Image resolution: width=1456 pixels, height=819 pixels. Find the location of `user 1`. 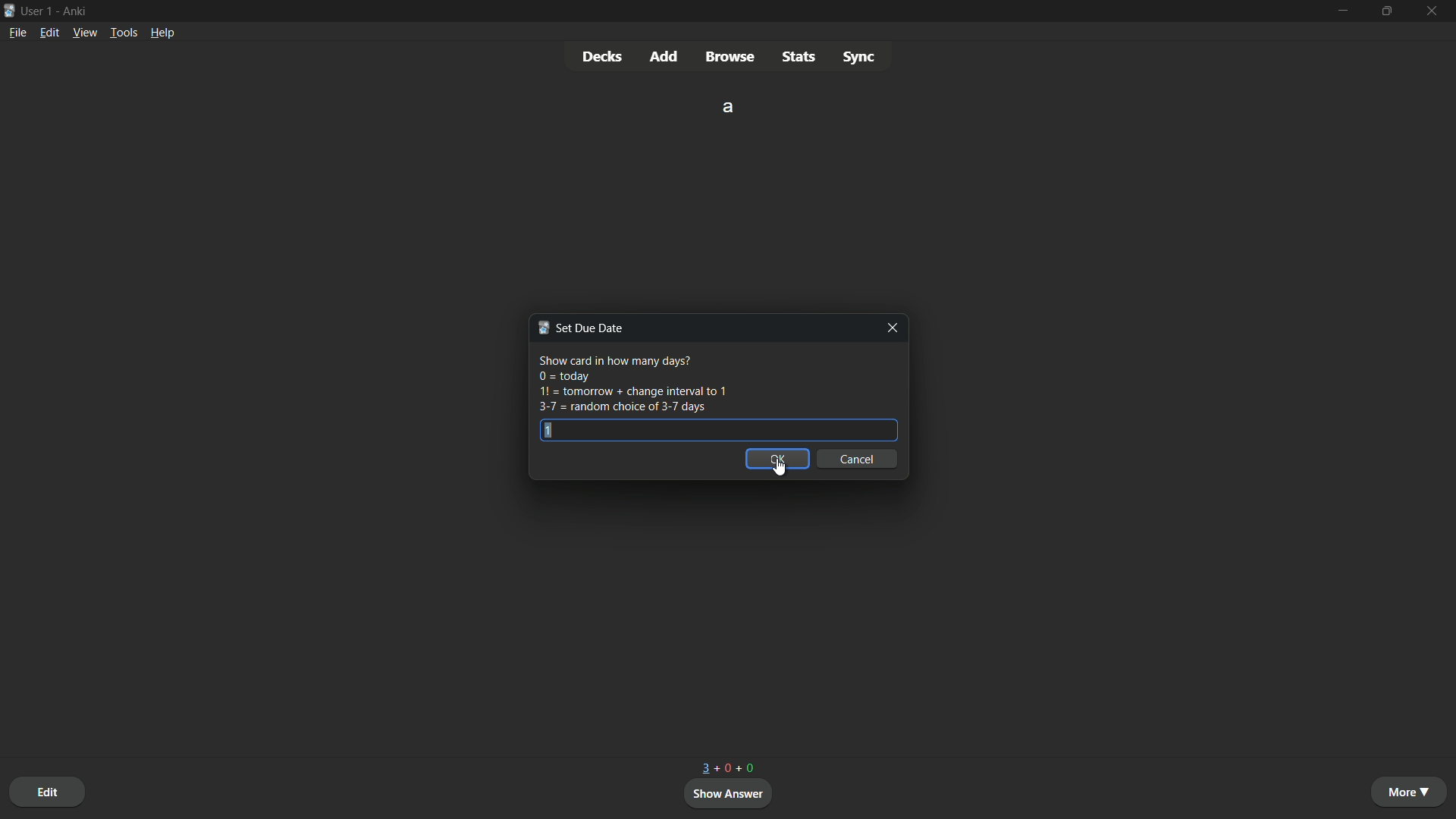

user 1 is located at coordinates (39, 11).